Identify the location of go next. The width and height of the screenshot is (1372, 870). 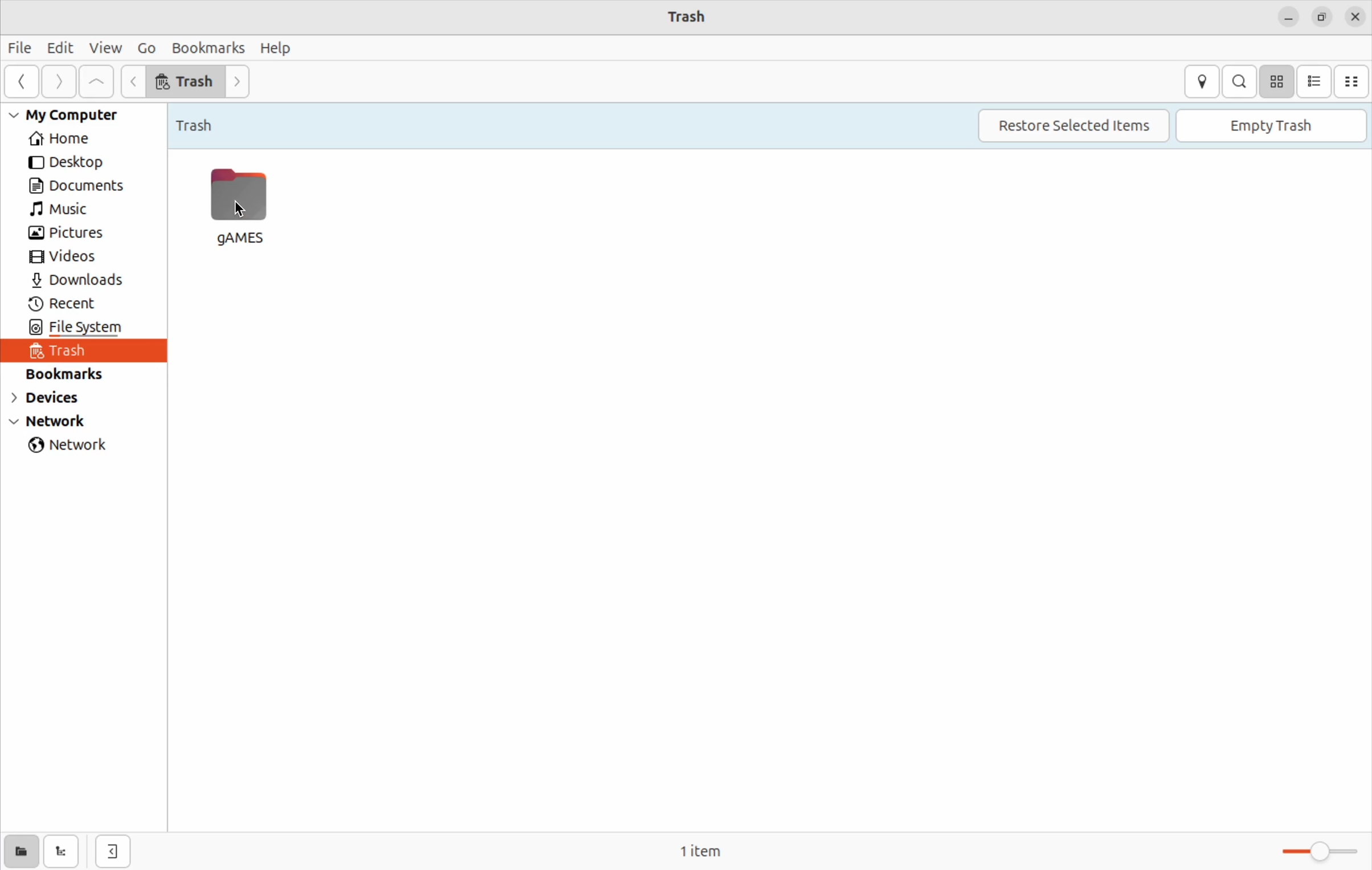
(242, 83).